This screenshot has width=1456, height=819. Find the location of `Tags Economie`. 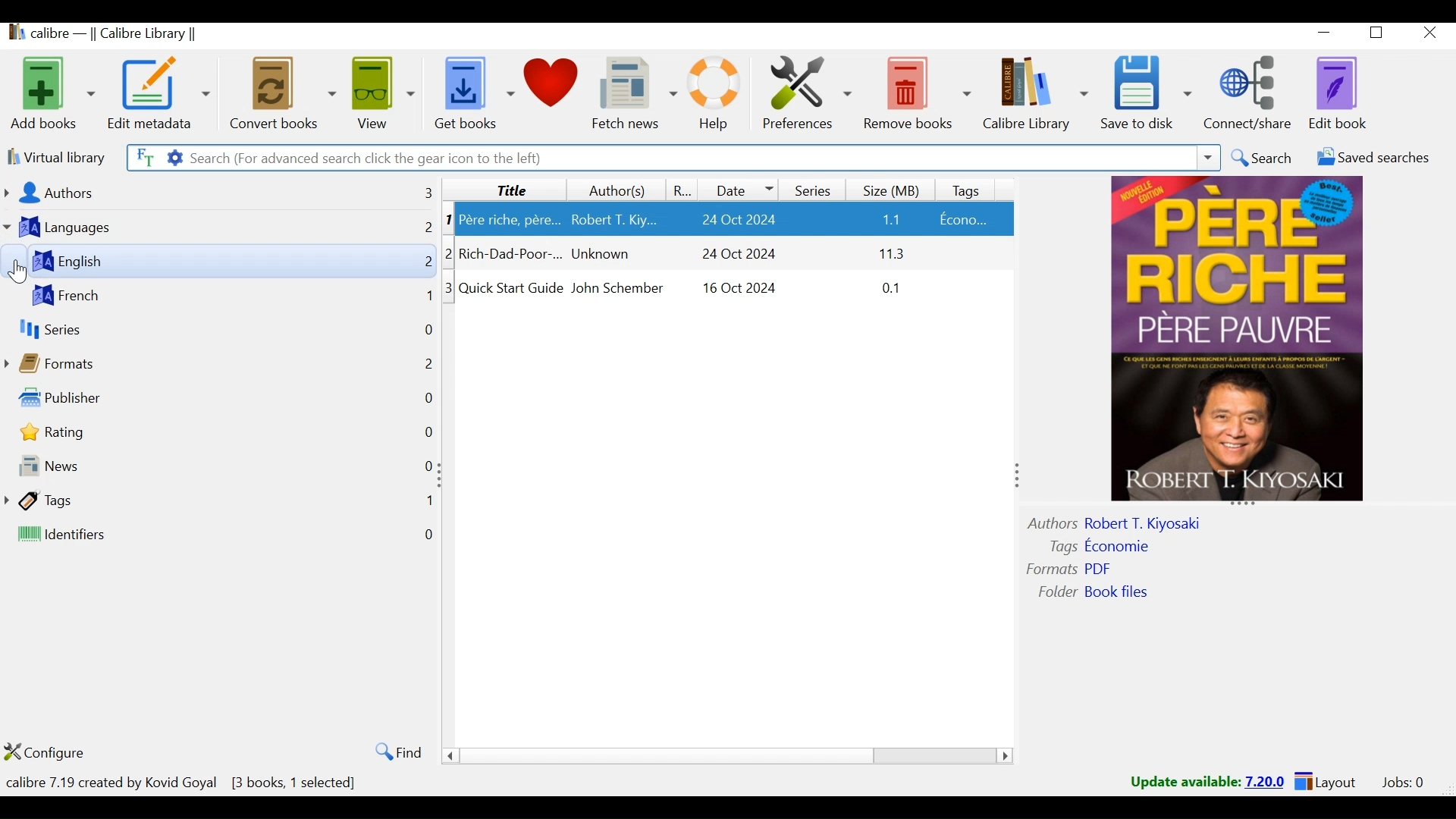

Tags Economie is located at coordinates (1102, 544).